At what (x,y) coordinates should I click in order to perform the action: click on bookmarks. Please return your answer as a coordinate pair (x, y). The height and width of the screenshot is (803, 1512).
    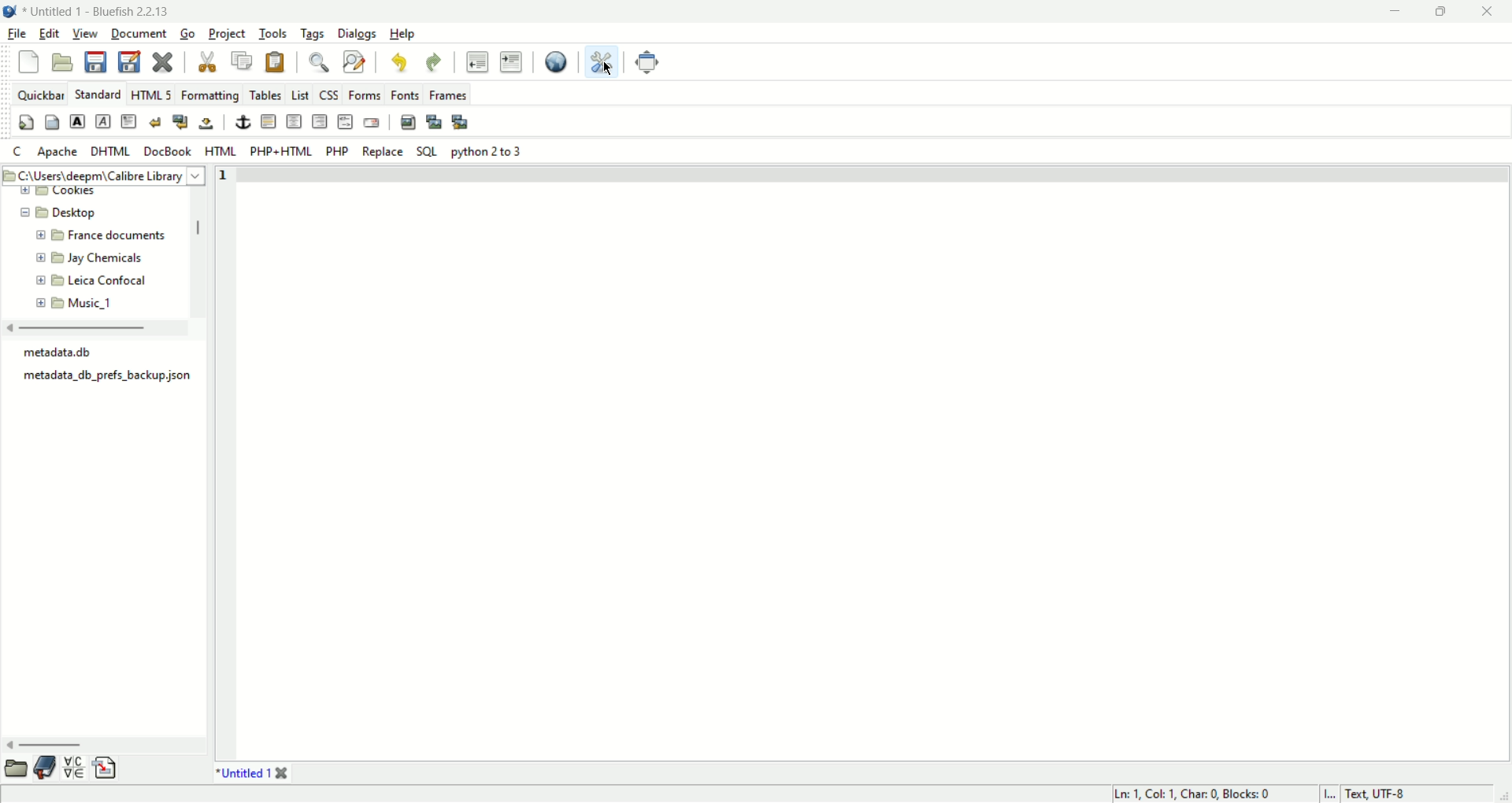
    Looking at the image, I should click on (46, 768).